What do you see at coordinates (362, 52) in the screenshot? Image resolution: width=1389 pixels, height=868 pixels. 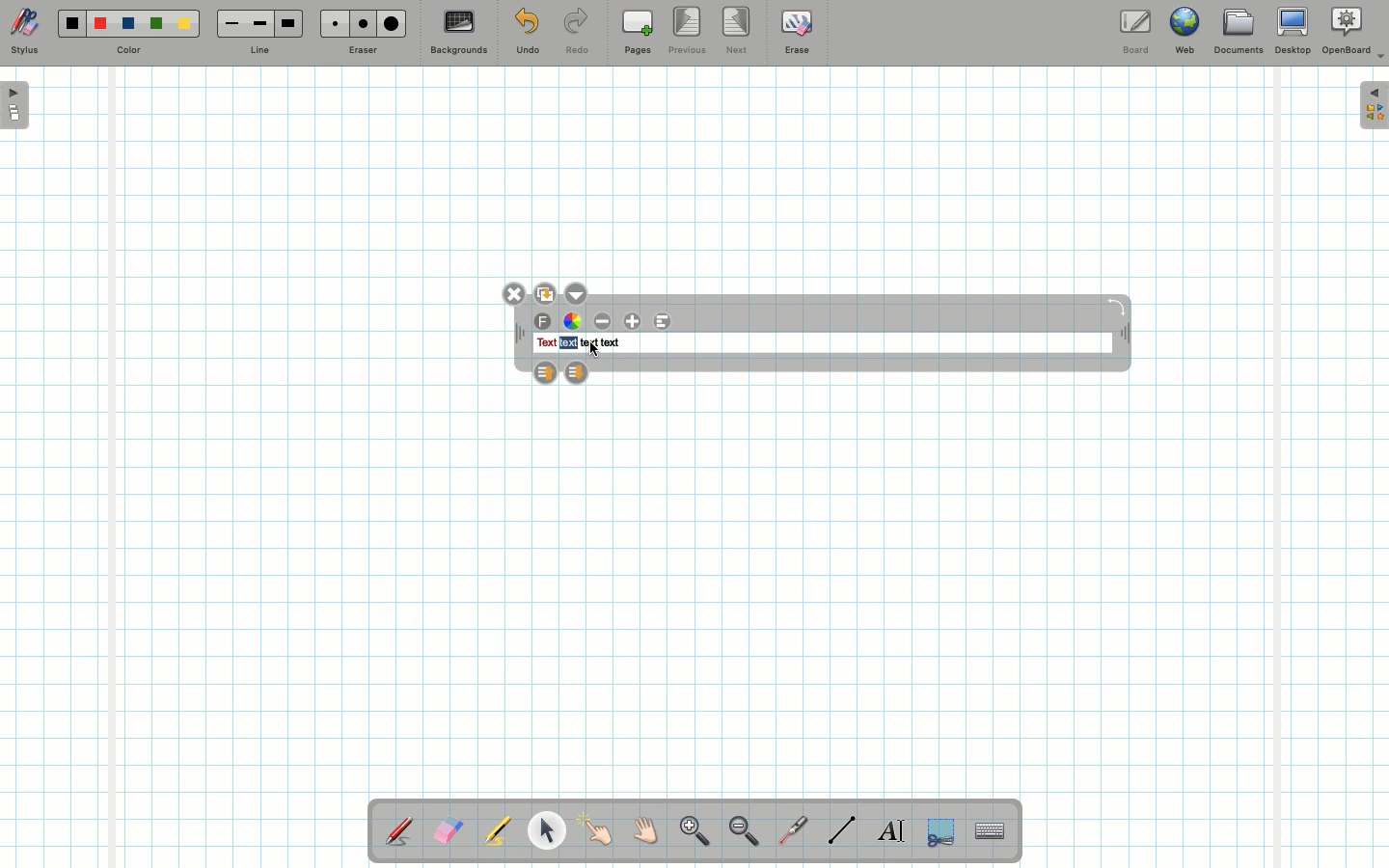 I see `Eraser` at bounding box center [362, 52].